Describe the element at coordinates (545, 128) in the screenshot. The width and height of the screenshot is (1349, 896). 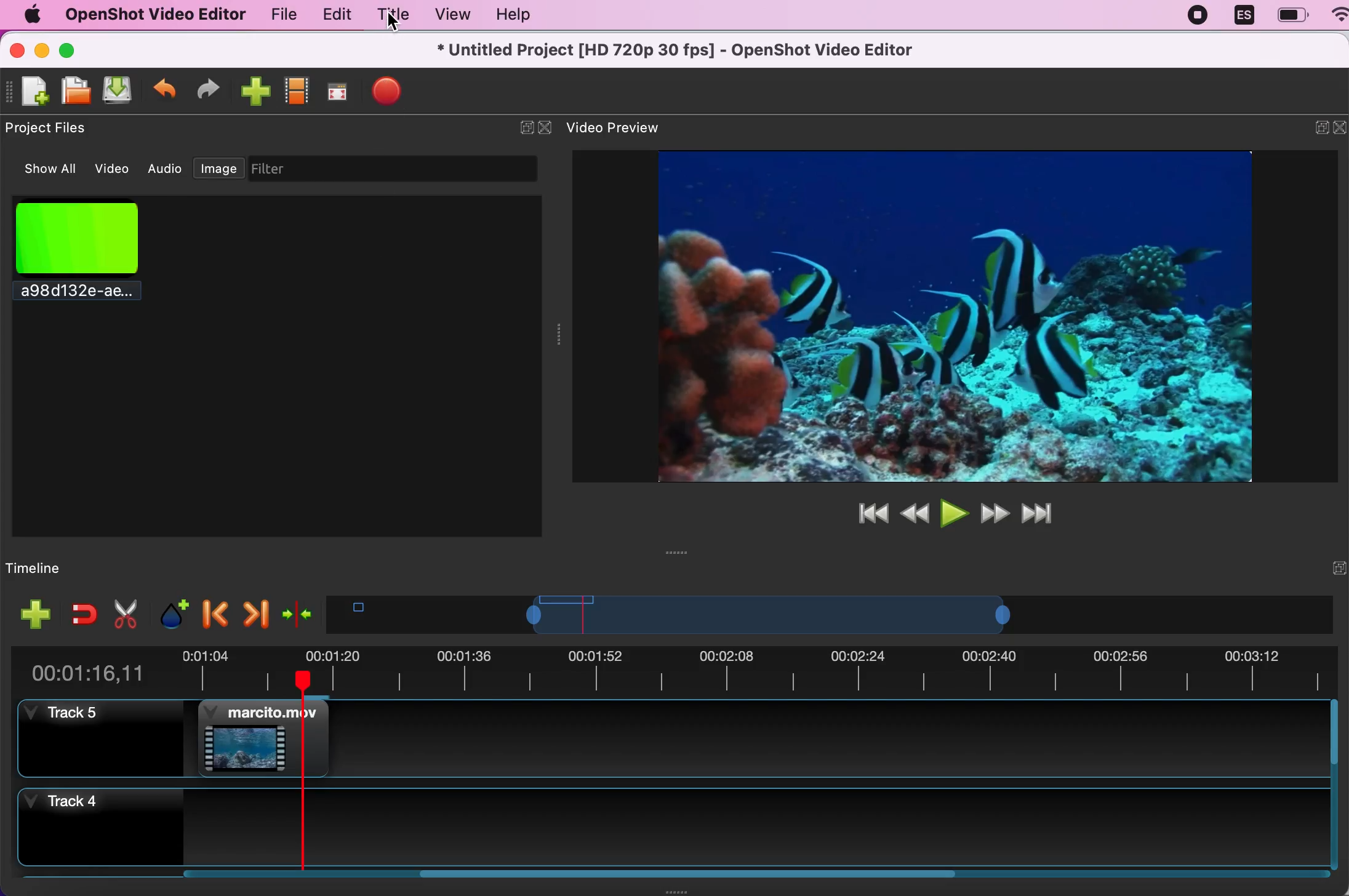
I see `close` at that location.